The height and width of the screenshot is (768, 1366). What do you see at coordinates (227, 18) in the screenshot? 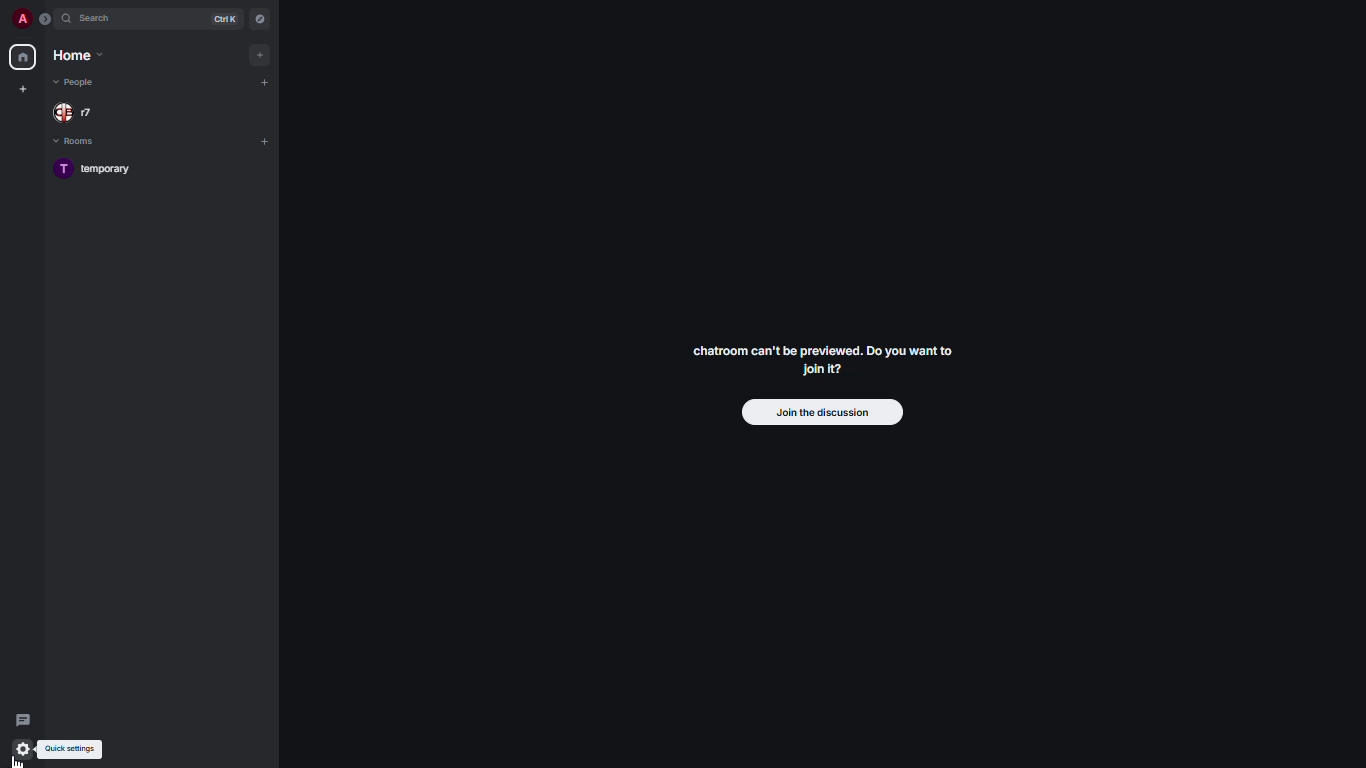
I see `ctrl K` at bounding box center [227, 18].